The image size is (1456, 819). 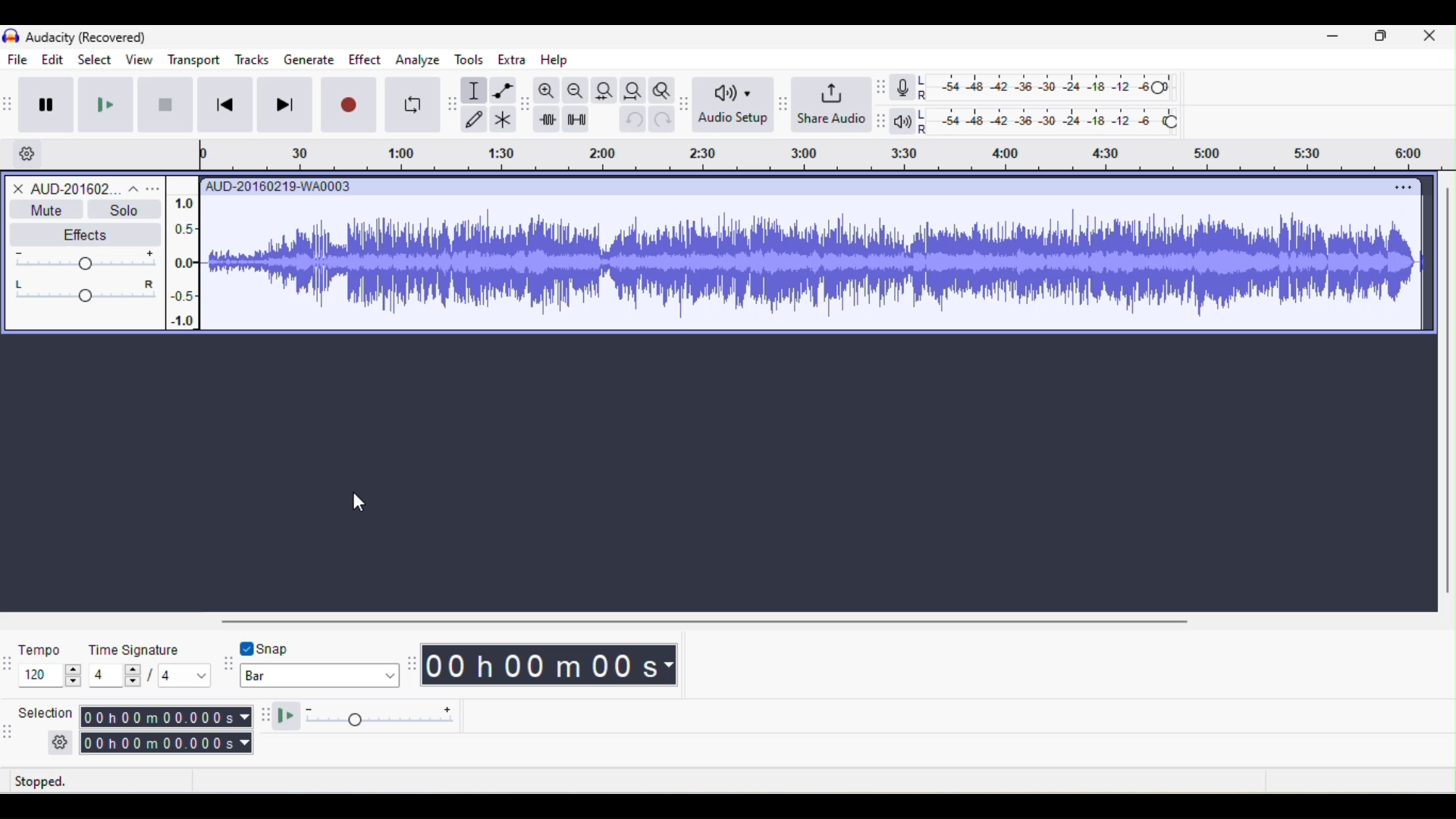 I want to click on time signature, so click(x=151, y=663).